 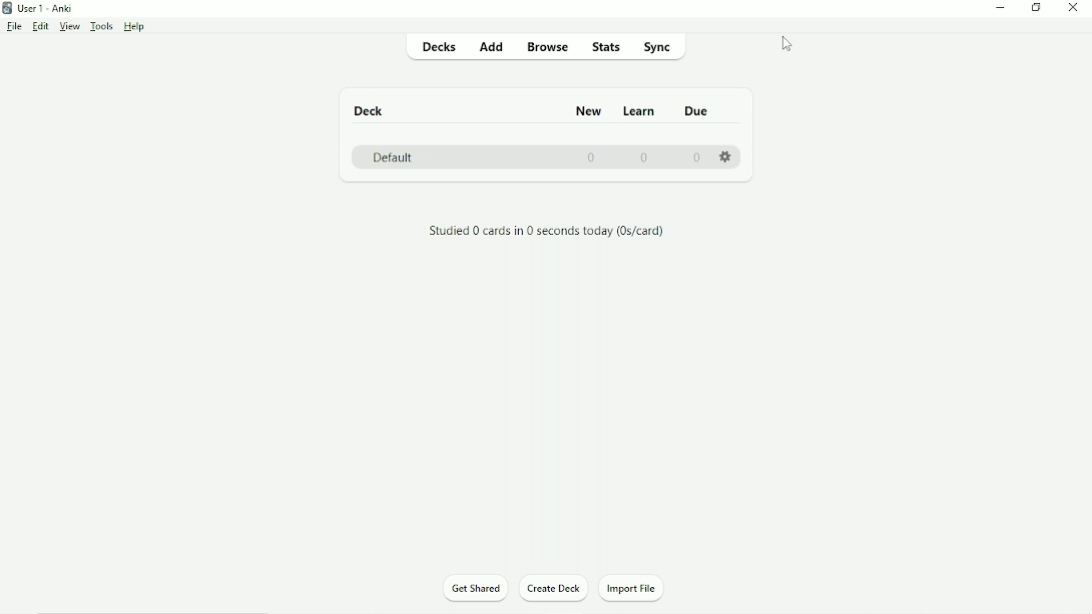 I want to click on Default, so click(x=393, y=158).